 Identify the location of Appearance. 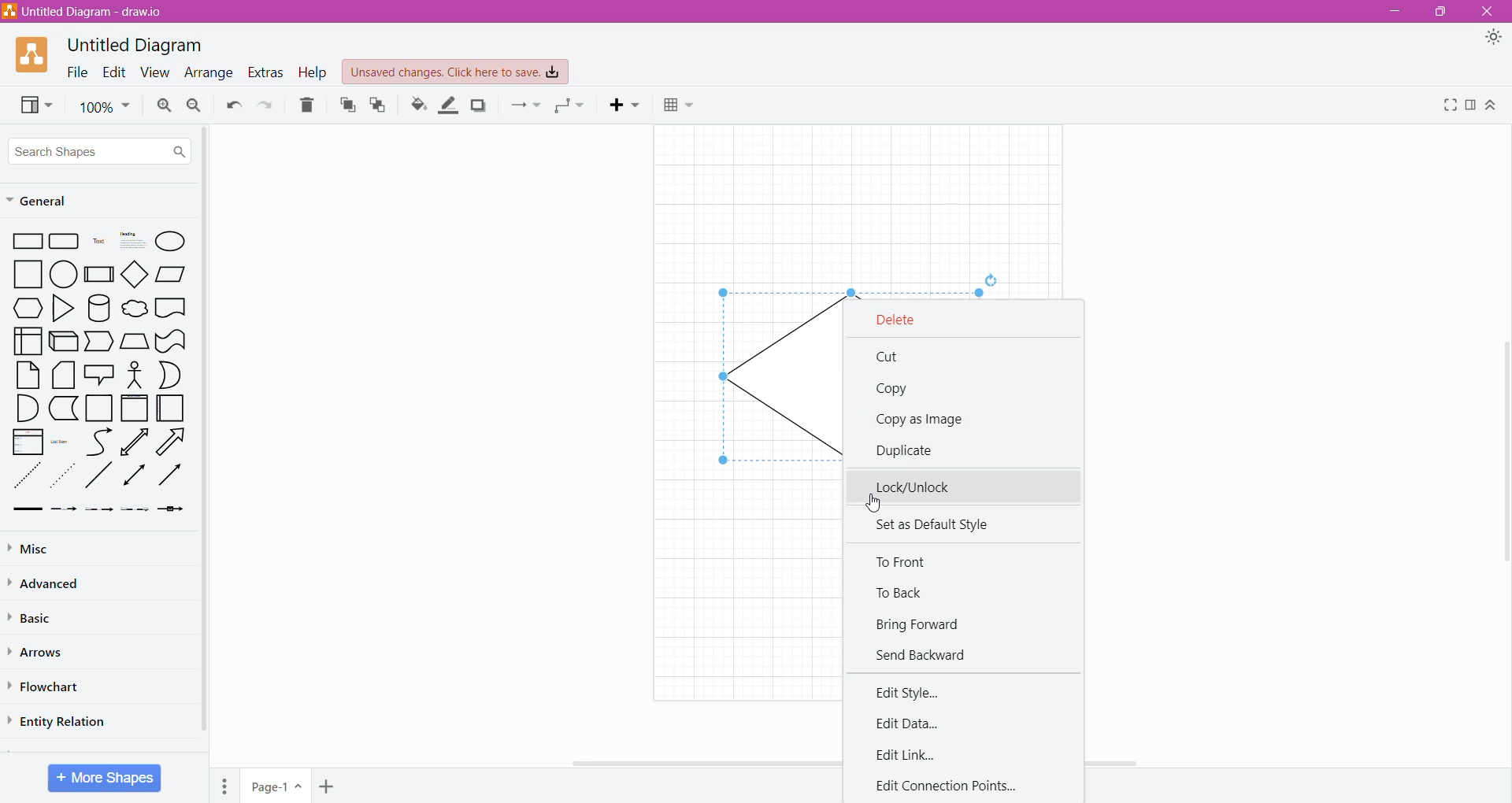
(1493, 37).